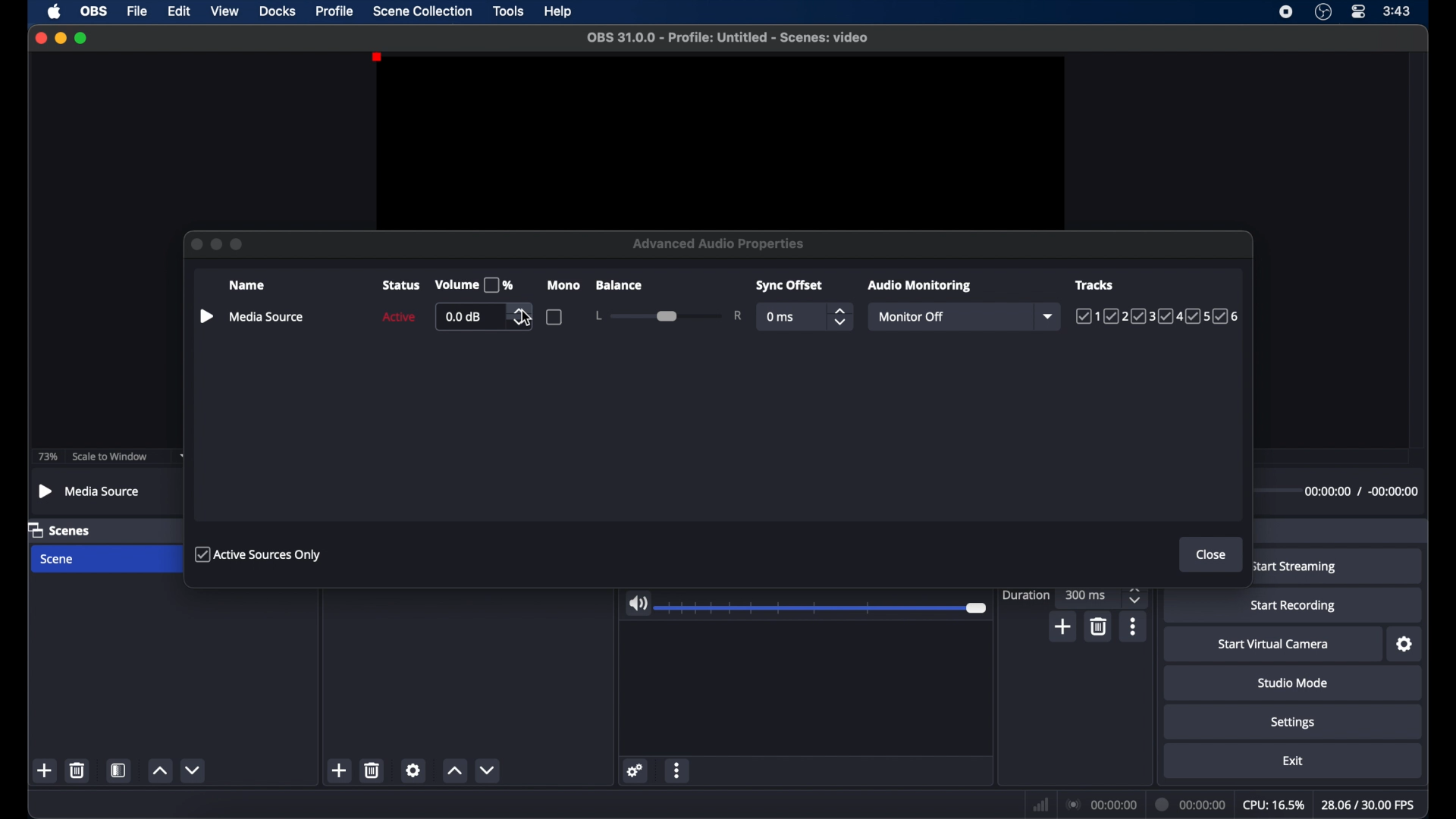  Describe the element at coordinates (637, 604) in the screenshot. I see `volume` at that location.